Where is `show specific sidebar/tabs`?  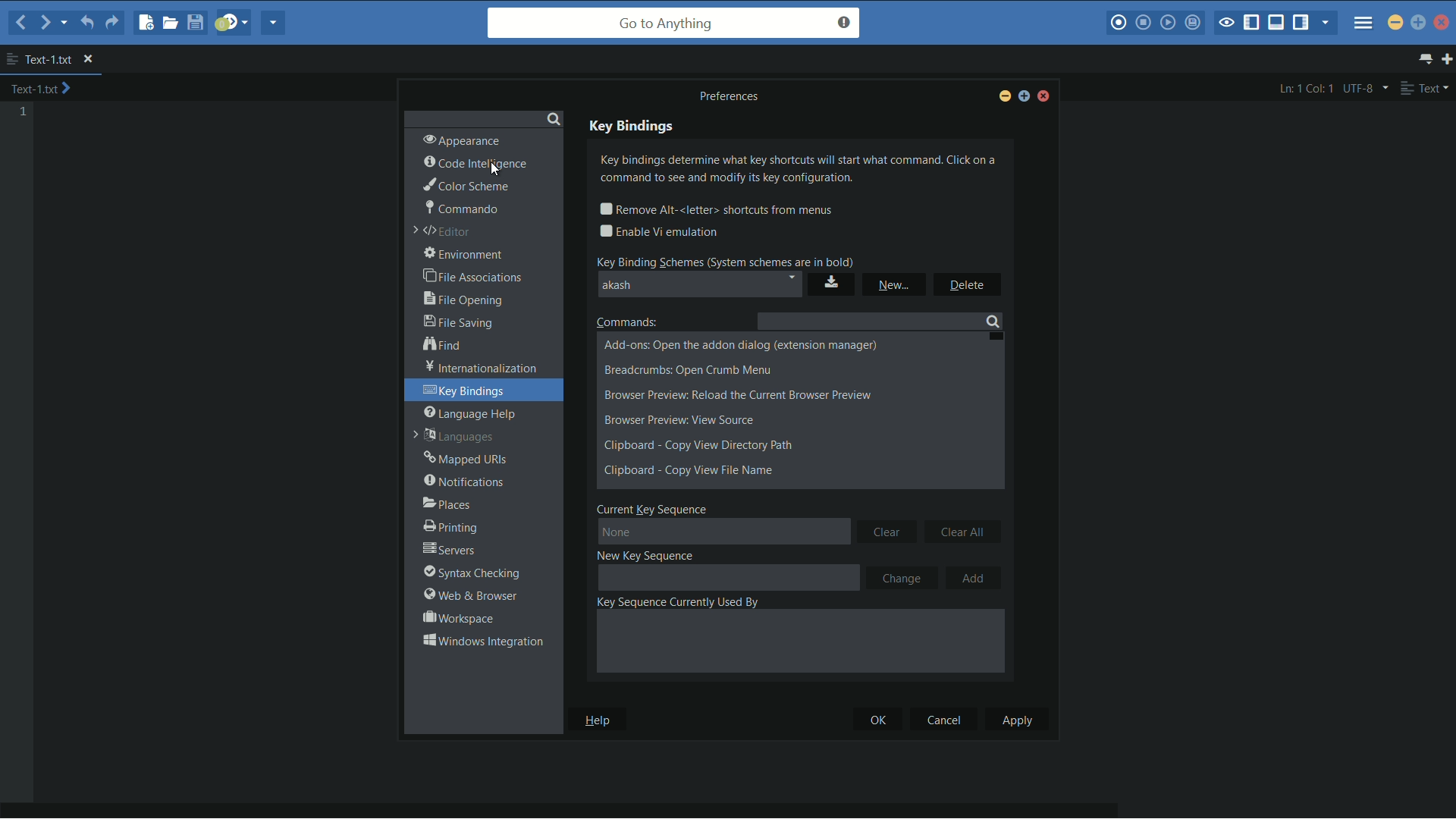 show specific sidebar/tabs is located at coordinates (1326, 24).